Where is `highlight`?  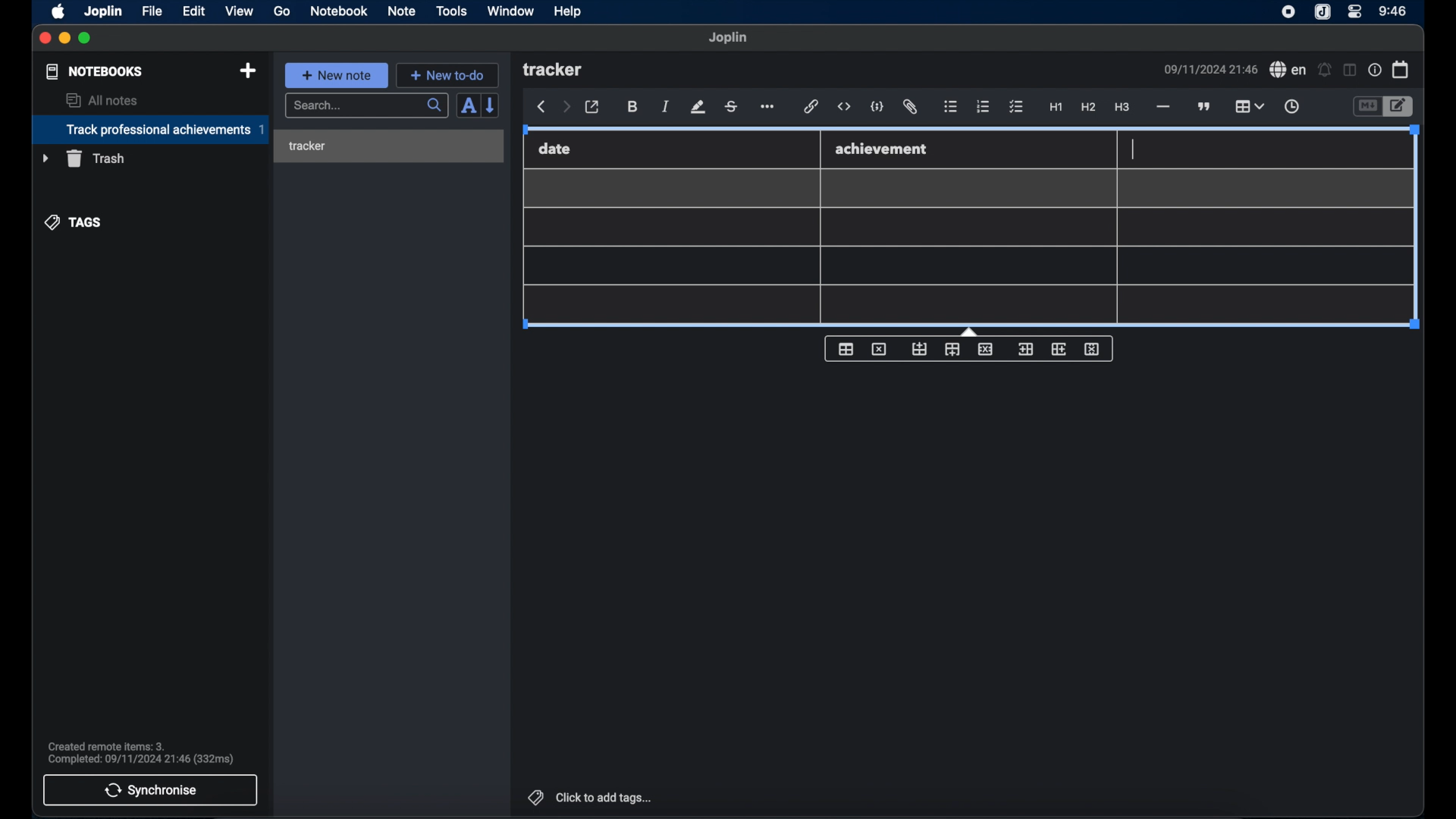 highlight is located at coordinates (698, 107).